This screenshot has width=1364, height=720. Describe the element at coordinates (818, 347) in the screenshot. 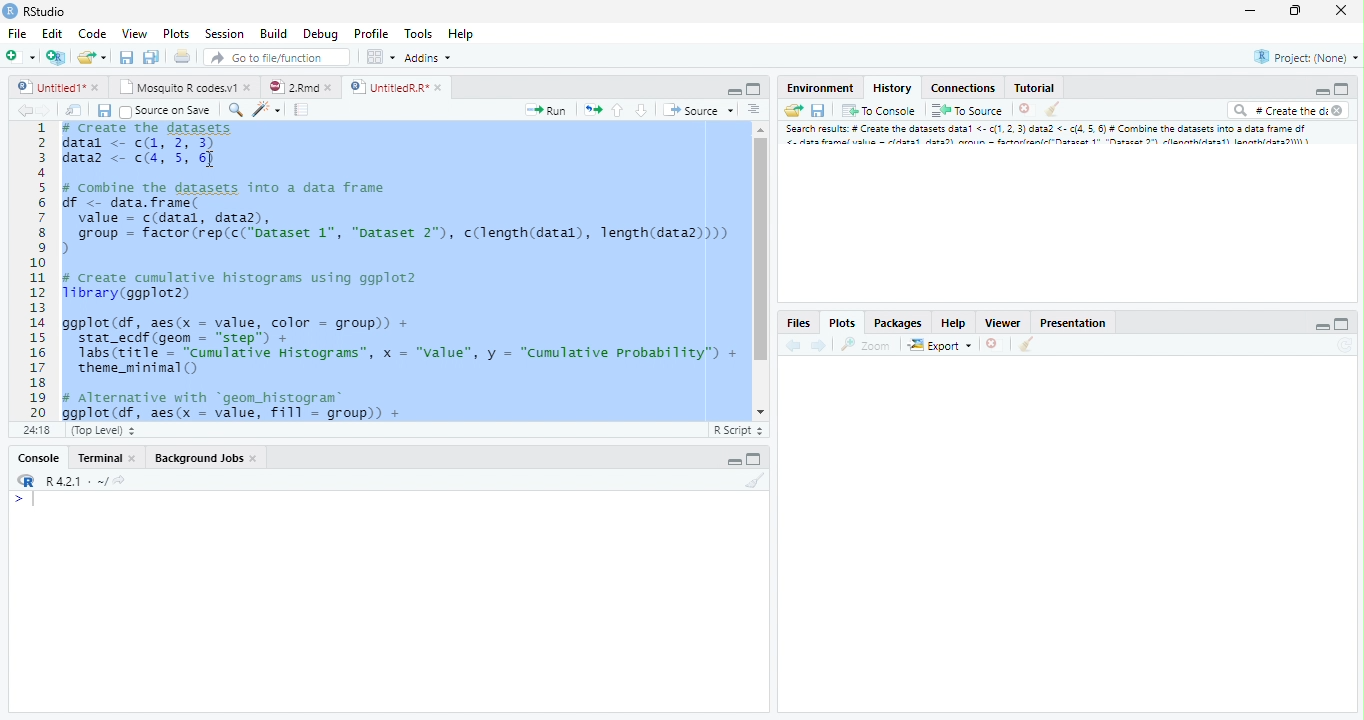

I see `Next` at that location.